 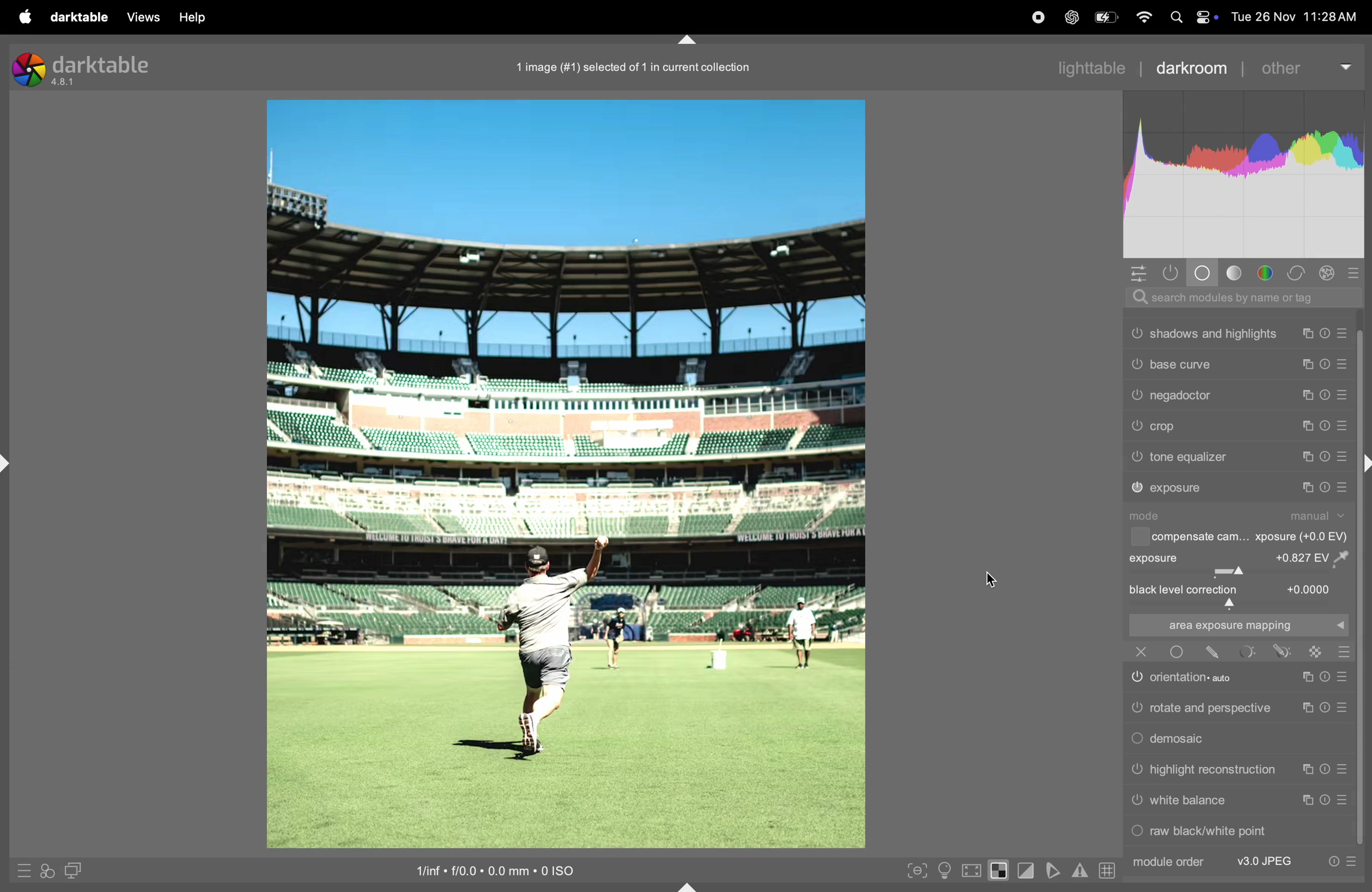 What do you see at coordinates (1136, 396) in the screenshot?
I see `Switch on or off` at bounding box center [1136, 396].